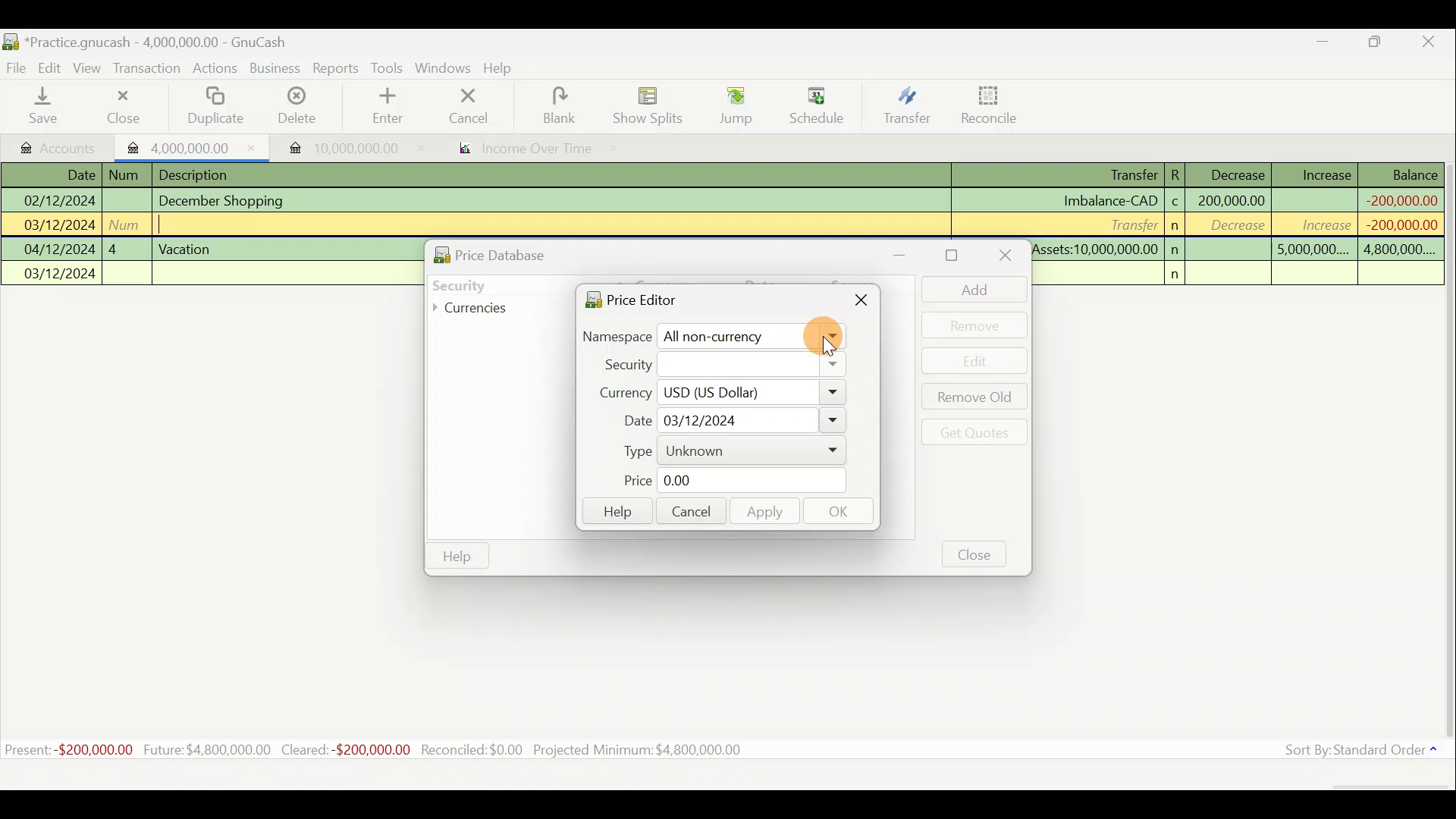 The width and height of the screenshot is (1456, 819). I want to click on blank, so click(570, 105).